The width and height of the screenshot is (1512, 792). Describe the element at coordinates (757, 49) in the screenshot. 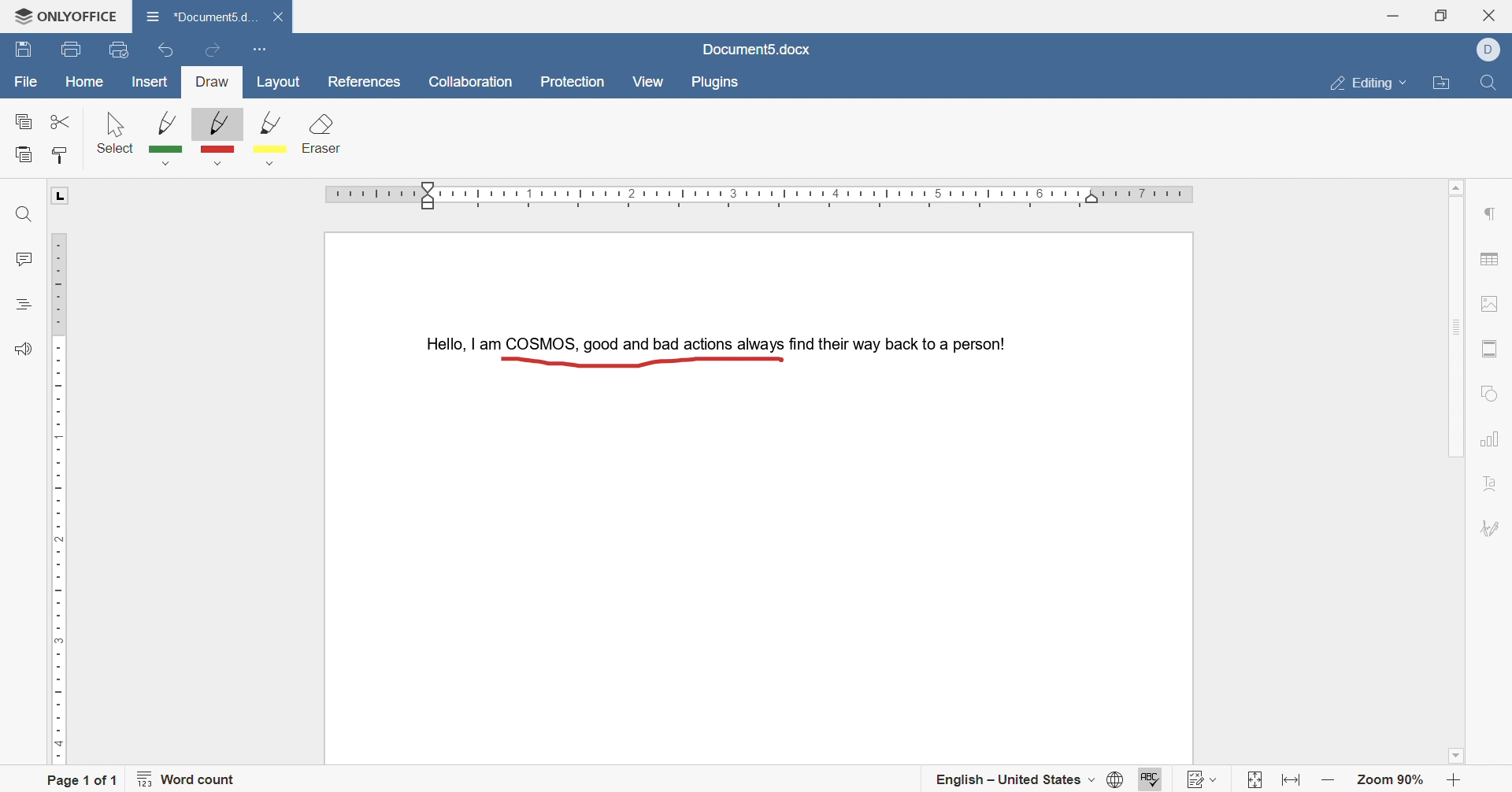

I see `document5.docx` at that location.